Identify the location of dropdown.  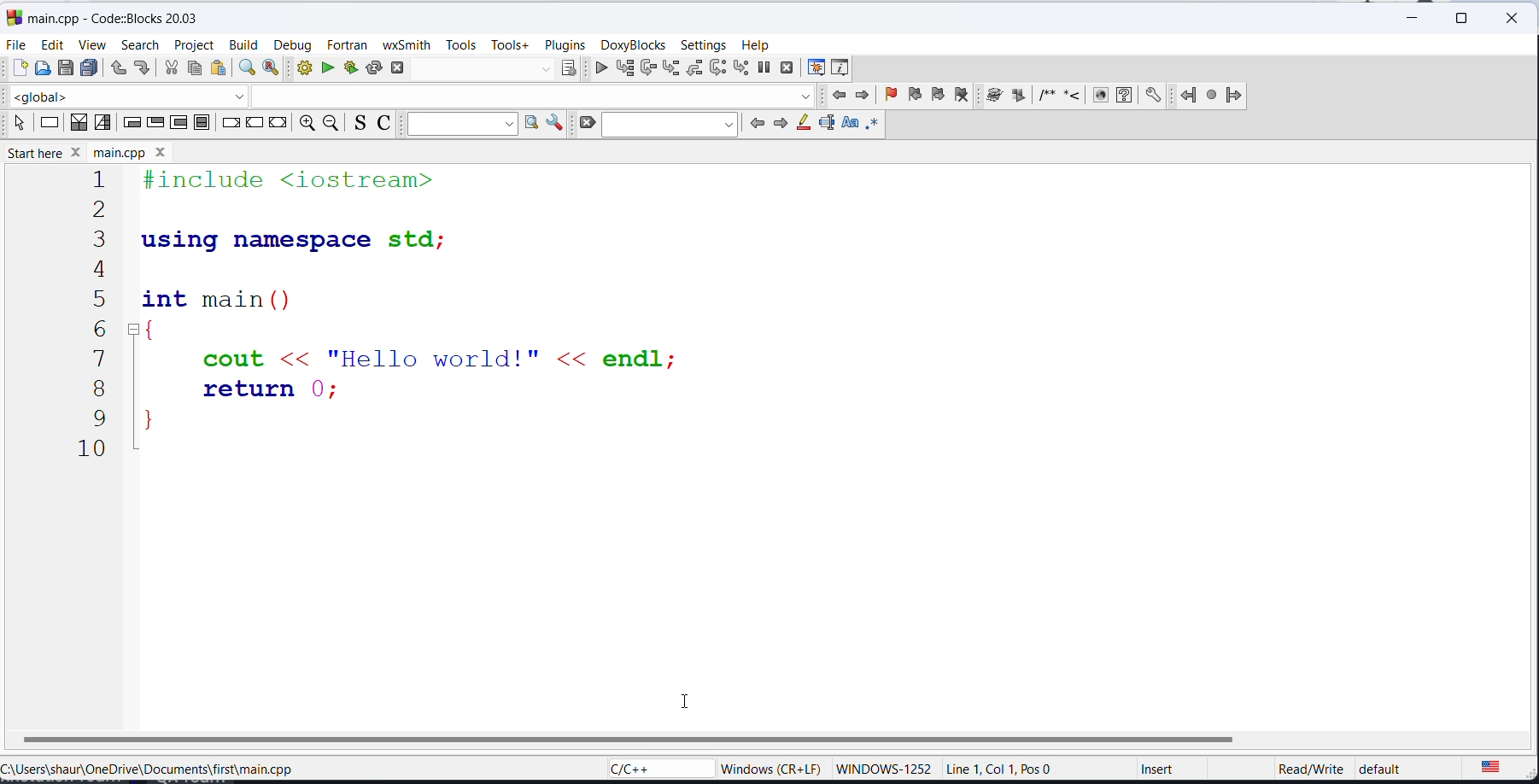
(545, 69).